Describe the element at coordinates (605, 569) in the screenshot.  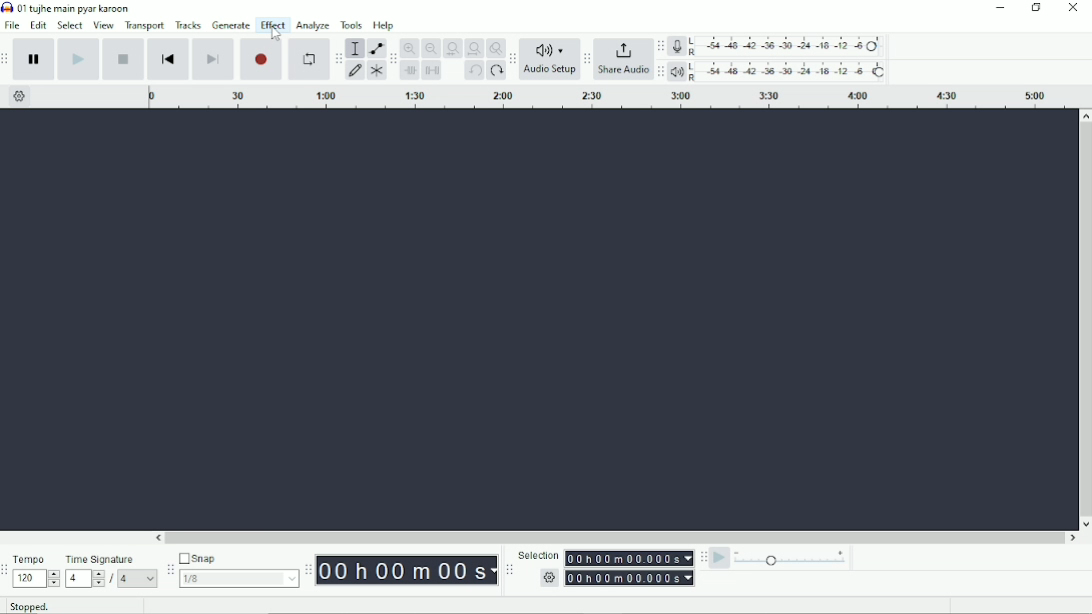
I see `Selection` at that location.